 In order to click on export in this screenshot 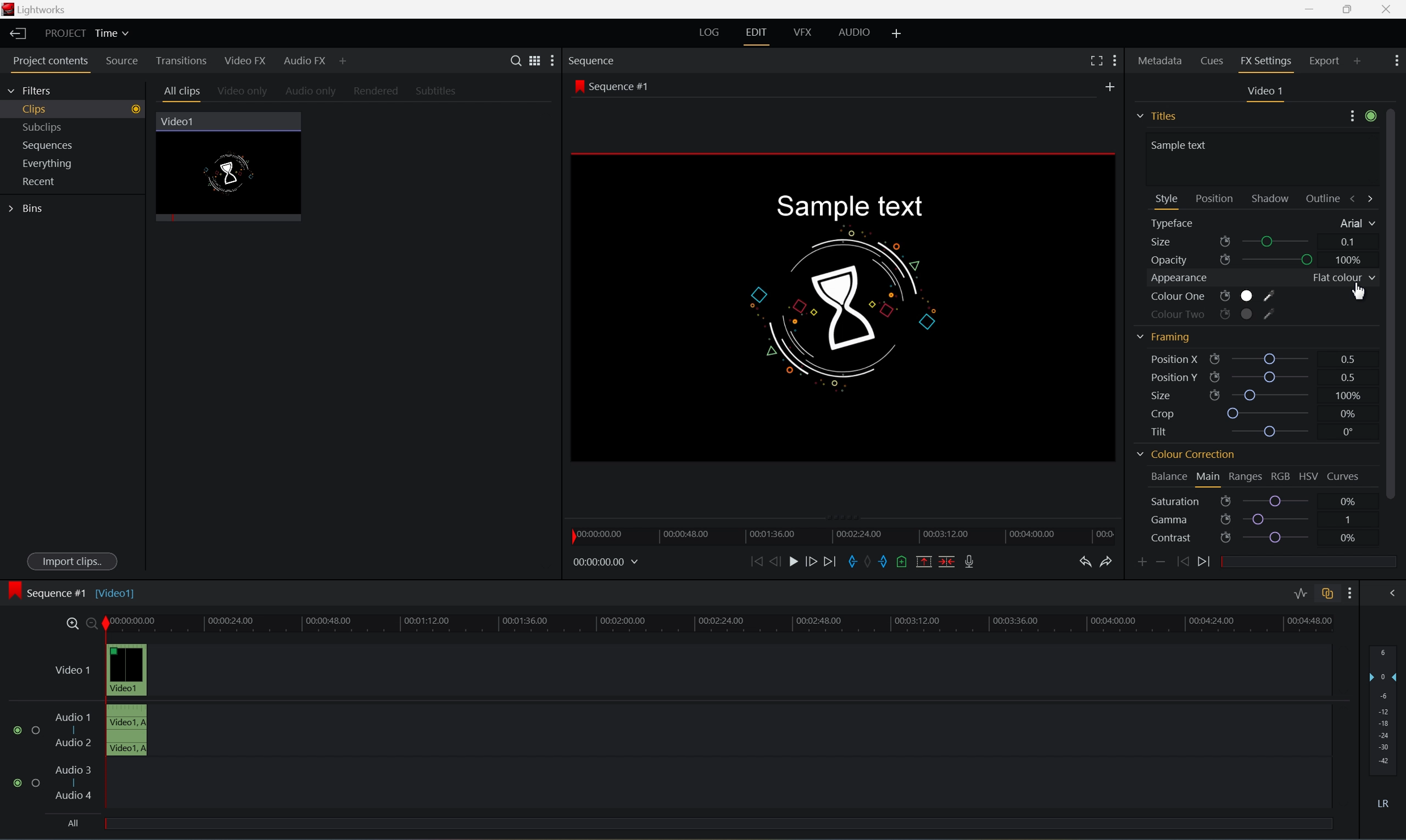, I will do `click(1334, 60)`.